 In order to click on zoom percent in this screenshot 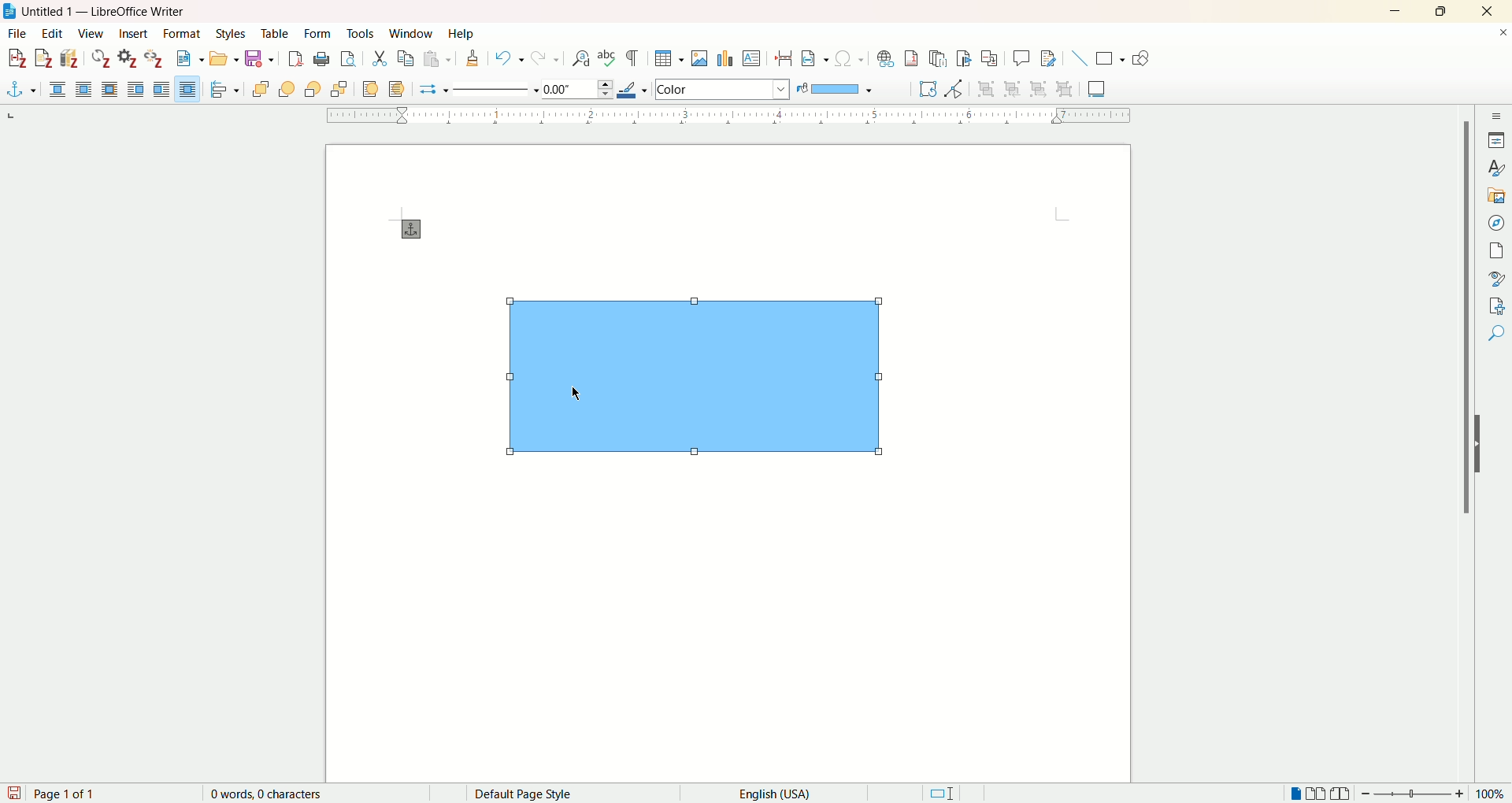, I will do `click(1494, 794)`.